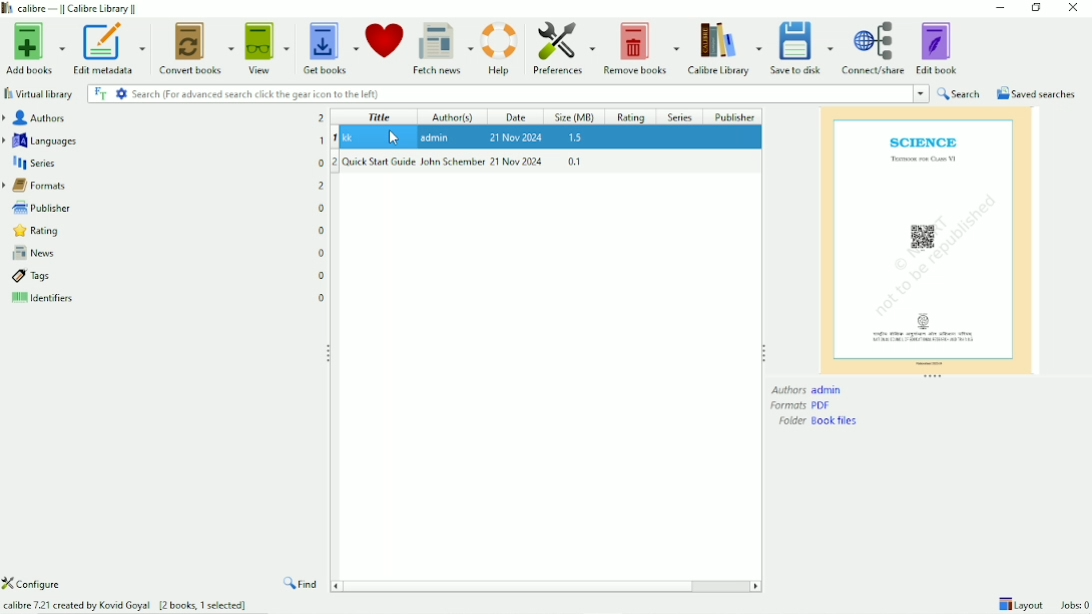 Image resolution: width=1092 pixels, height=614 pixels. I want to click on Remove books, so click(640, 47).